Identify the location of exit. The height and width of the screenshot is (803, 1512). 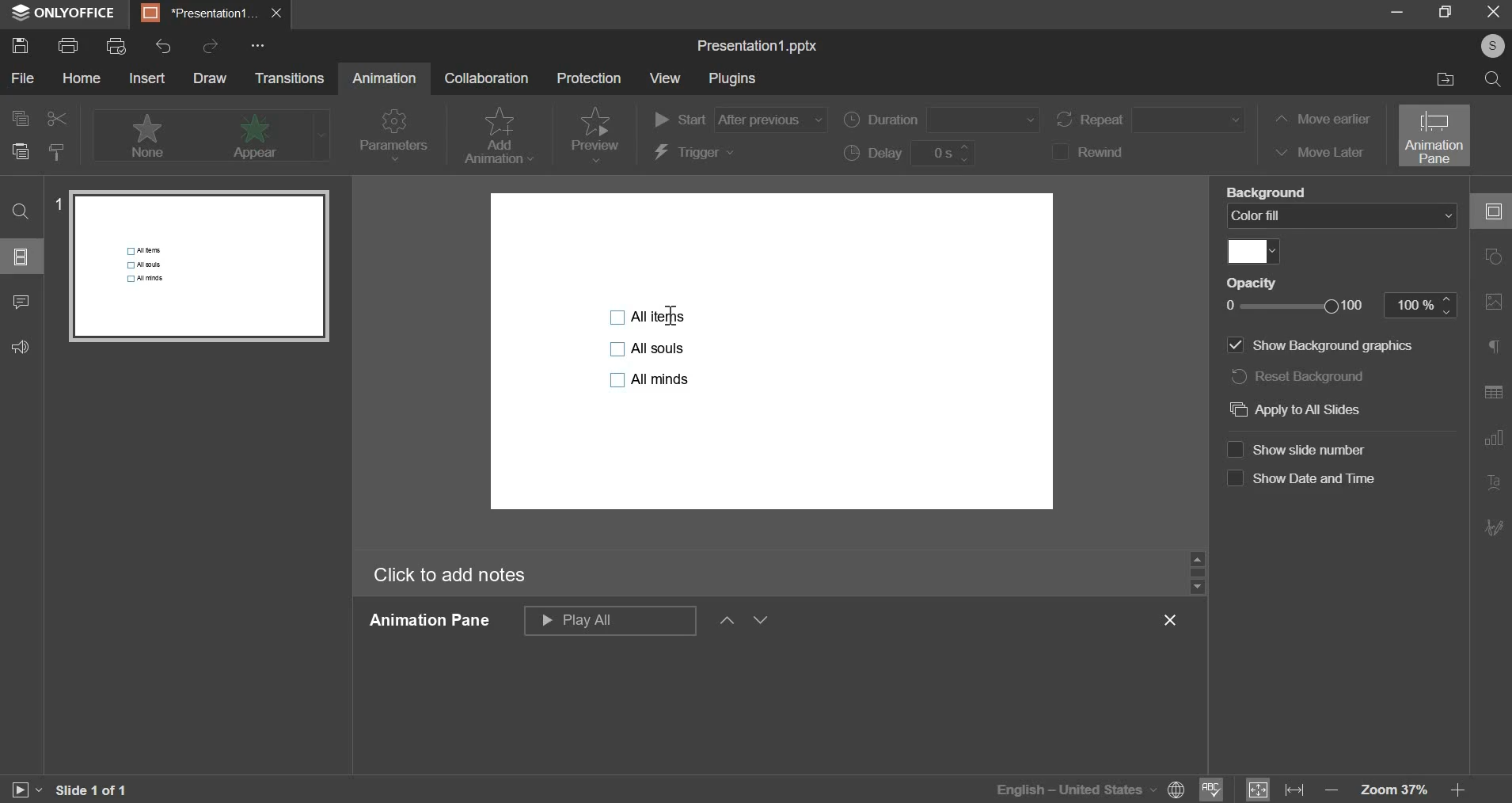
(1170, 619).